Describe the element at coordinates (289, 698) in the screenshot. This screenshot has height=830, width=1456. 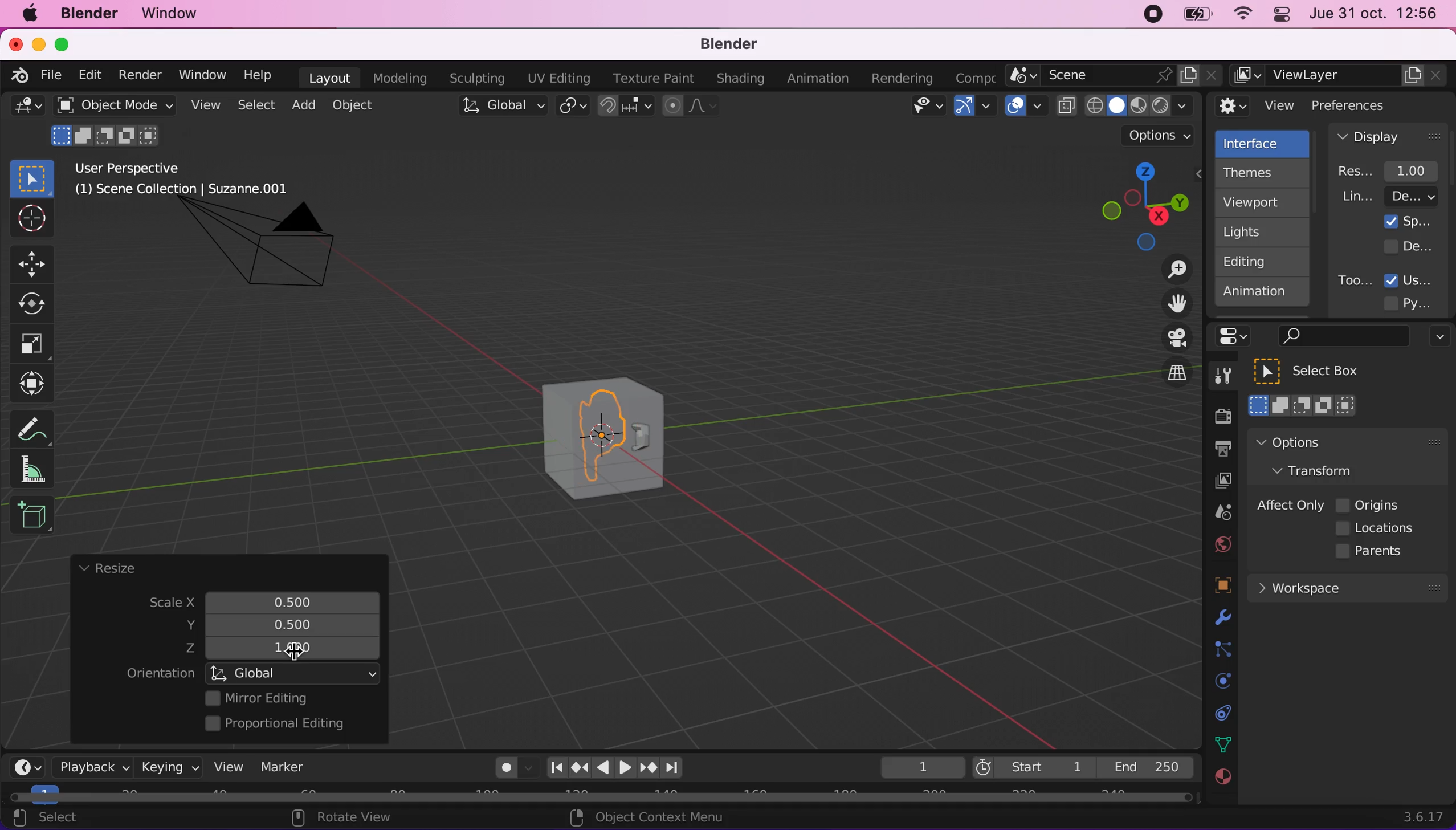
I see `mirror editing` at that location.